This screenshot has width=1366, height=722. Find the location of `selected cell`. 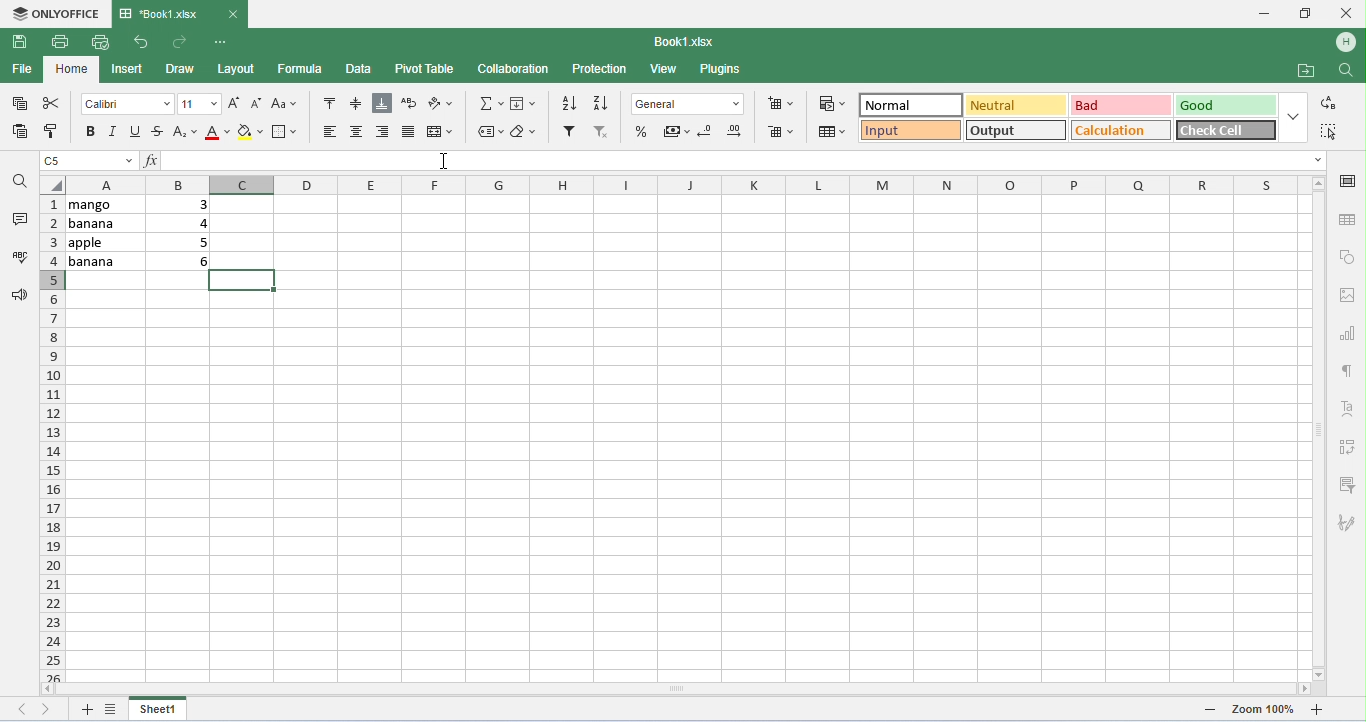

selected cell is located at coordinates (244, 280).